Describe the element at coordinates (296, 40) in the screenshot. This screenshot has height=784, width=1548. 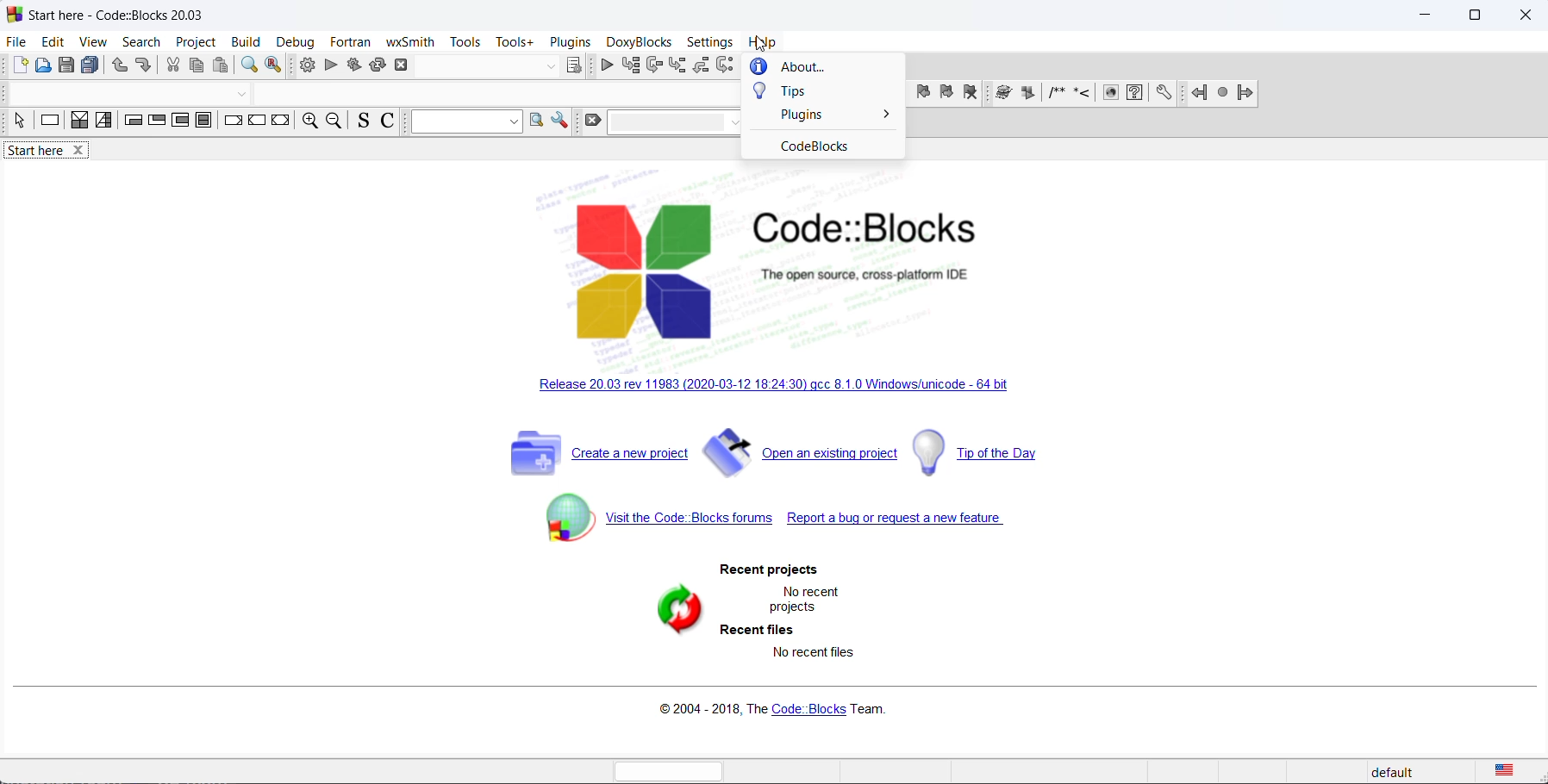
I see `debug` at that location.